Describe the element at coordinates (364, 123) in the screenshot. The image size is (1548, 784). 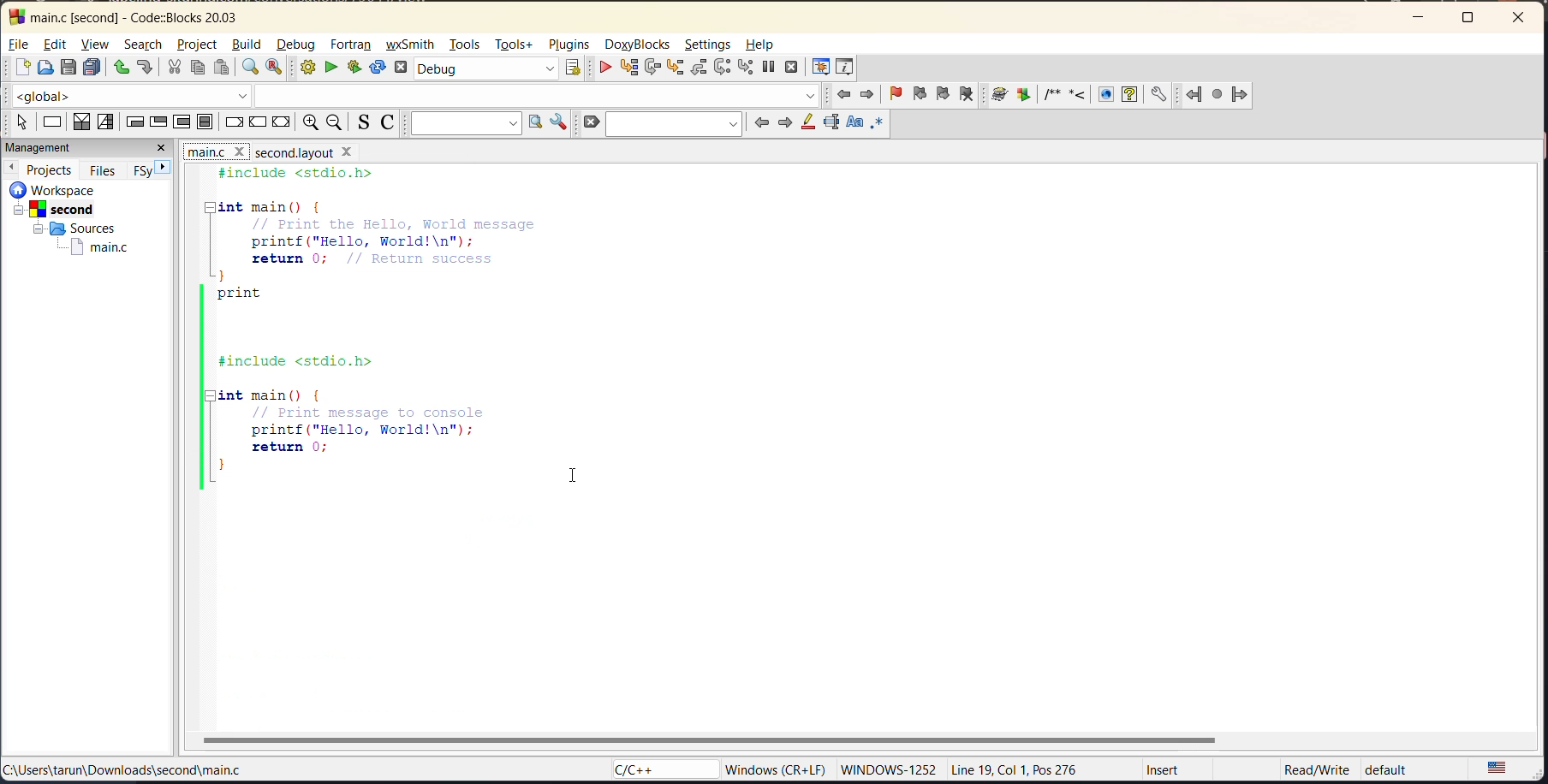
I see `toggle source` at that location.